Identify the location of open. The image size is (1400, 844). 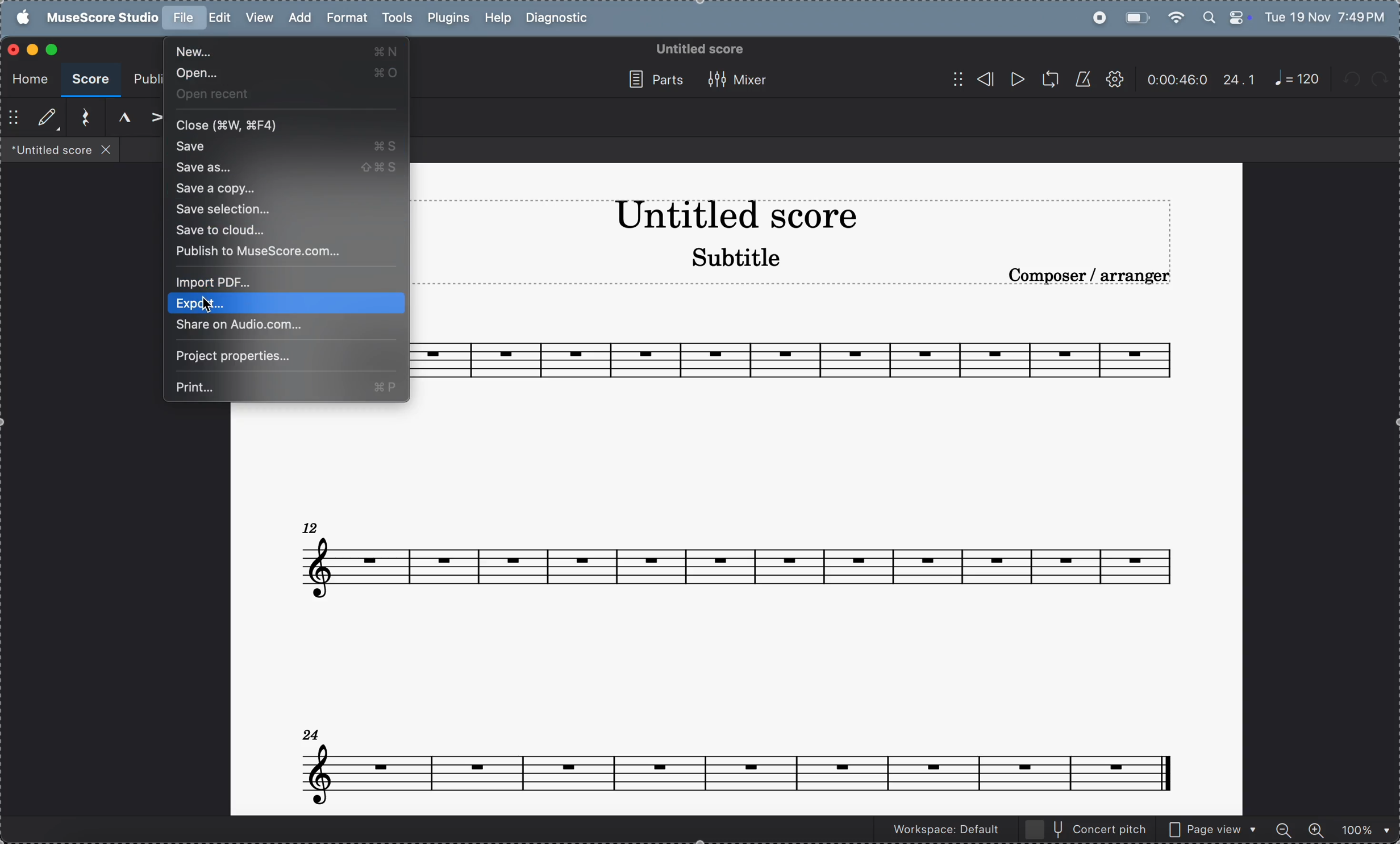
(284, 74).